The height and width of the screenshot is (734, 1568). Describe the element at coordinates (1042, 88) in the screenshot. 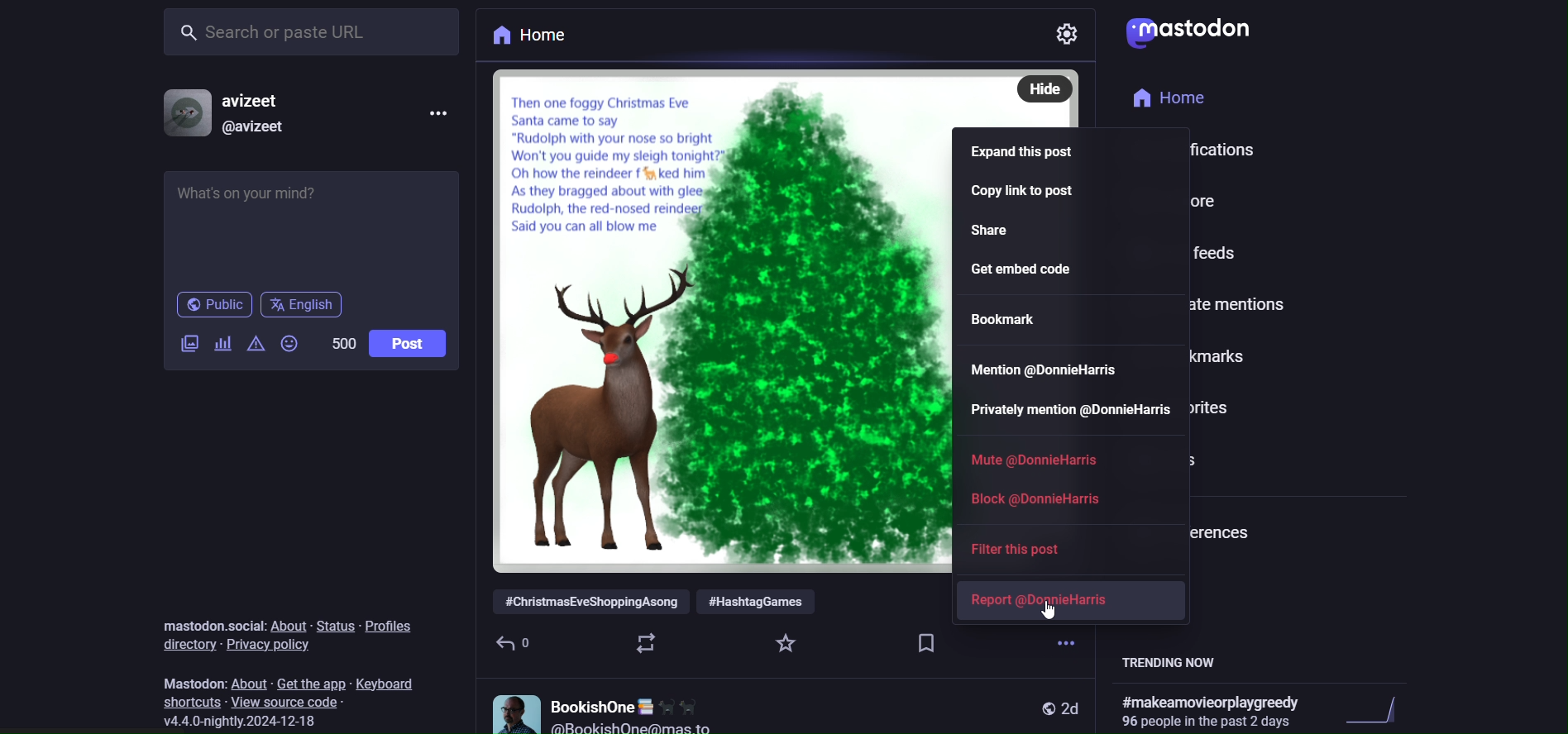

I see `hide` at that location.